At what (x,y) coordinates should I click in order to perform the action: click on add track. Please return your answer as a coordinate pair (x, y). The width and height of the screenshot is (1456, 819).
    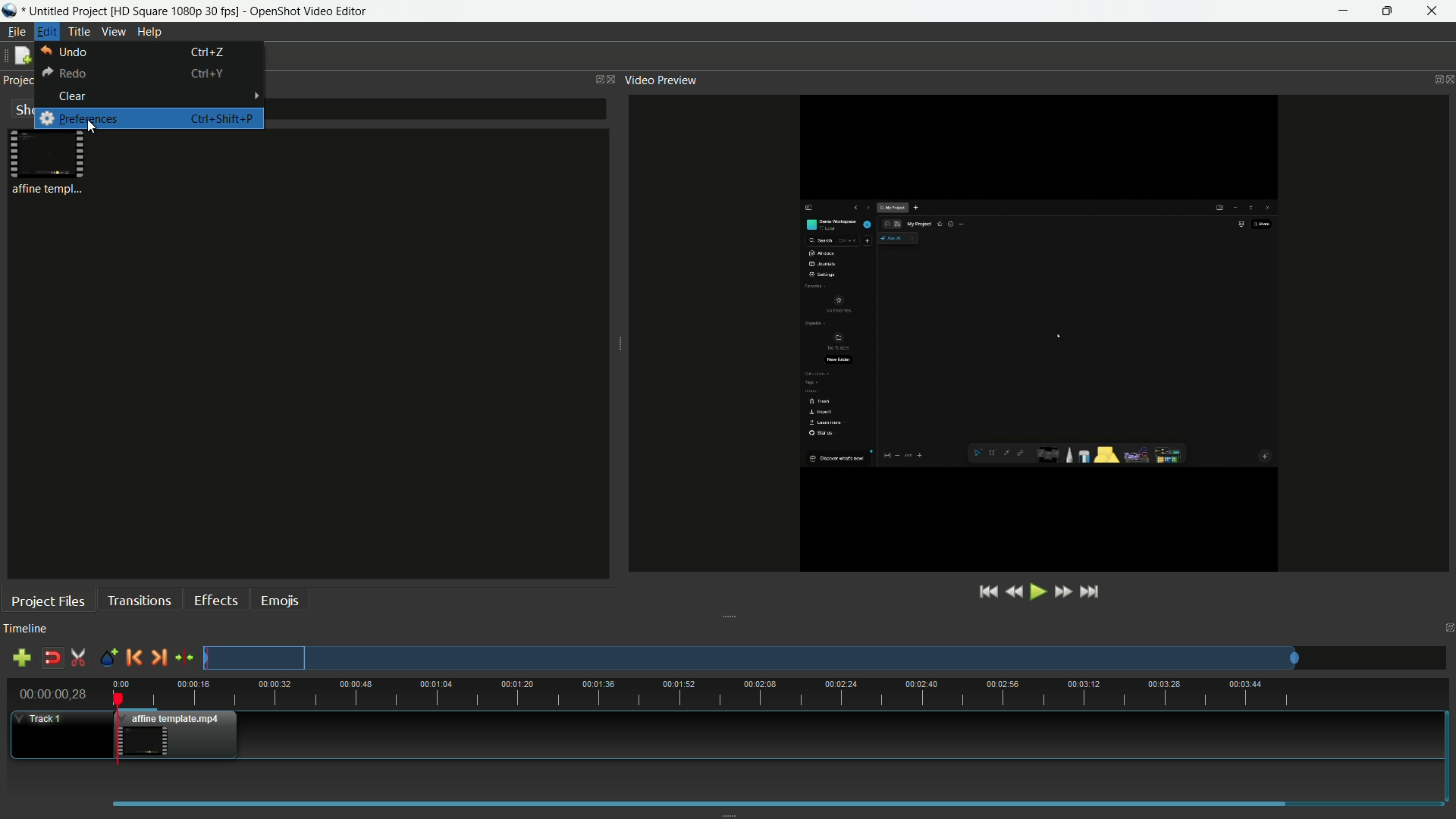
    Looking at the image, I should click on (21, 660).